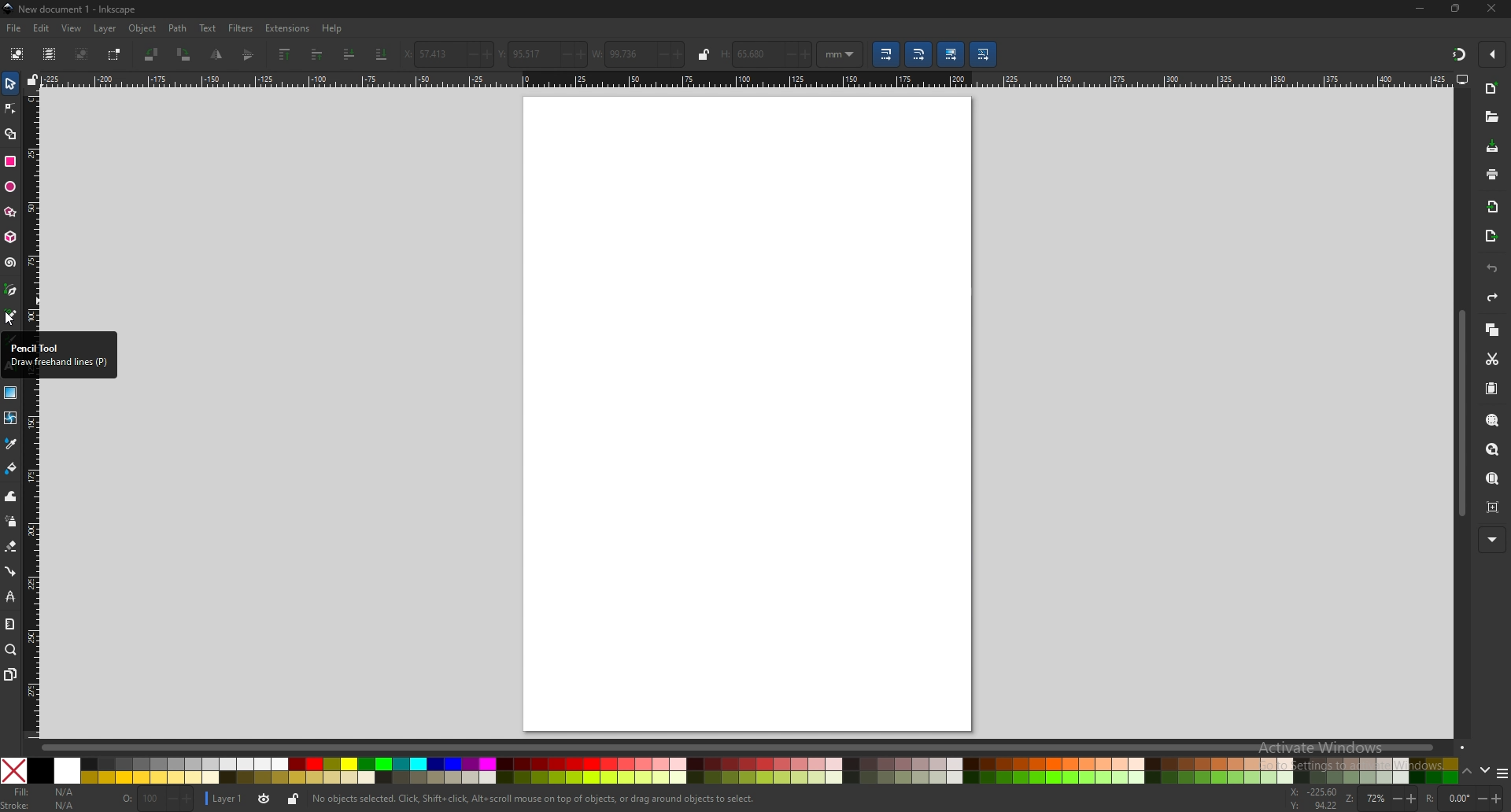 Image resolution: width=1511 pixels, height=812 pixels. What do you see at coordinates (766, 53) in the screenshot?
I see `height` at bounding box center [766, 53].